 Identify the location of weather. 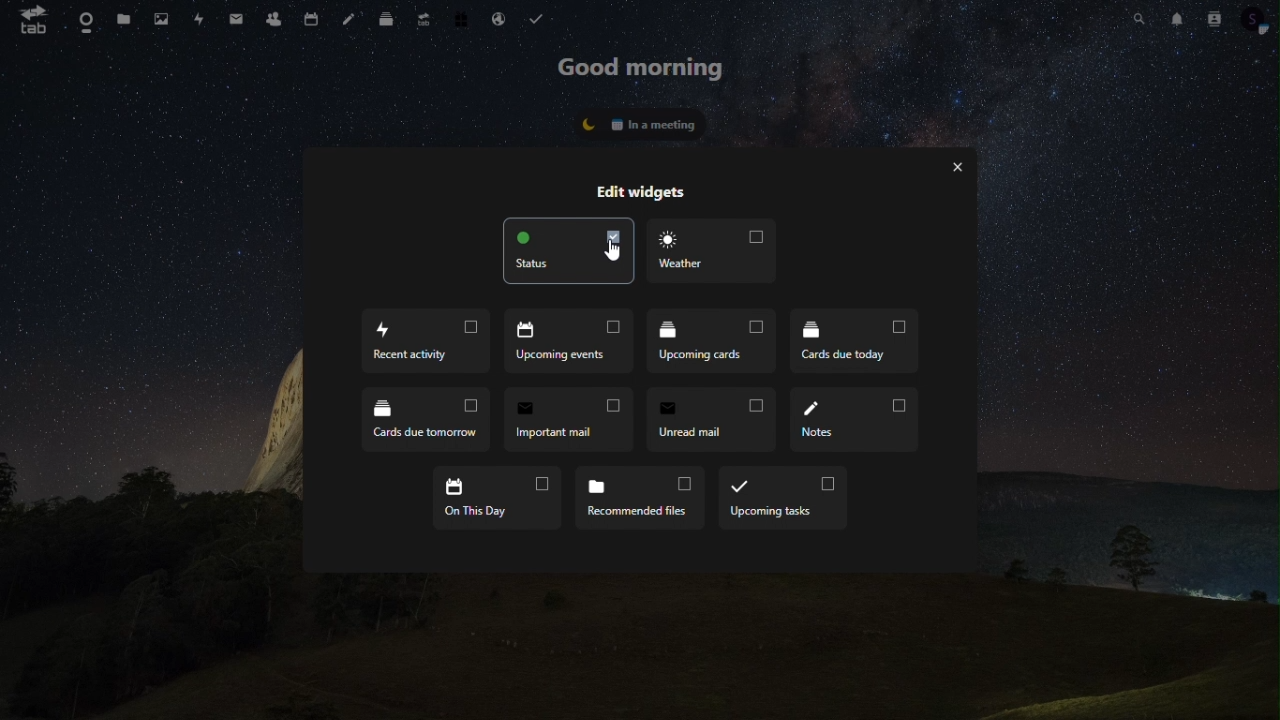
(714, 252).